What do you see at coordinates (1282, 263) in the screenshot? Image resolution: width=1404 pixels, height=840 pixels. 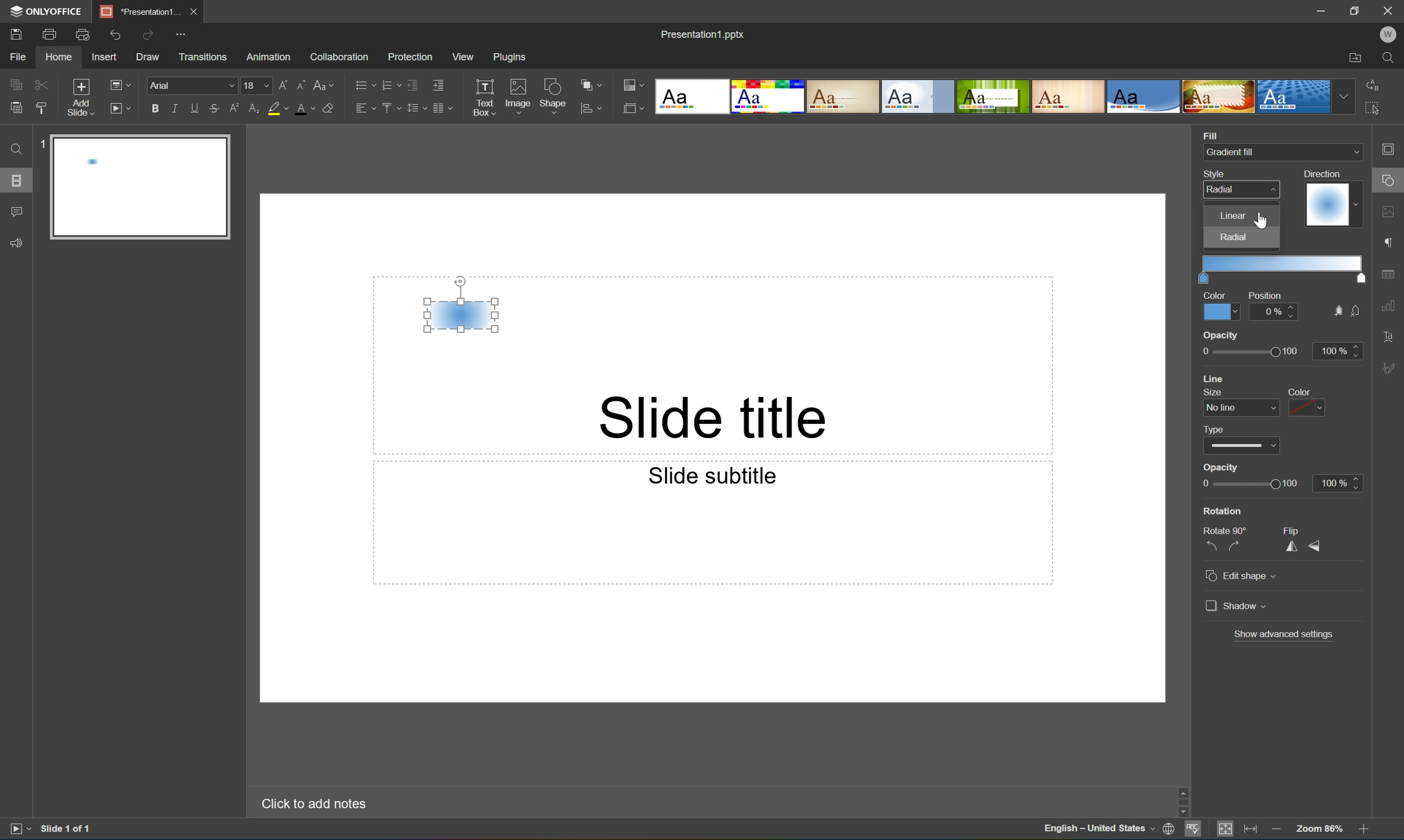 I see `Gradient scale` at bounding box center [1282, 263].